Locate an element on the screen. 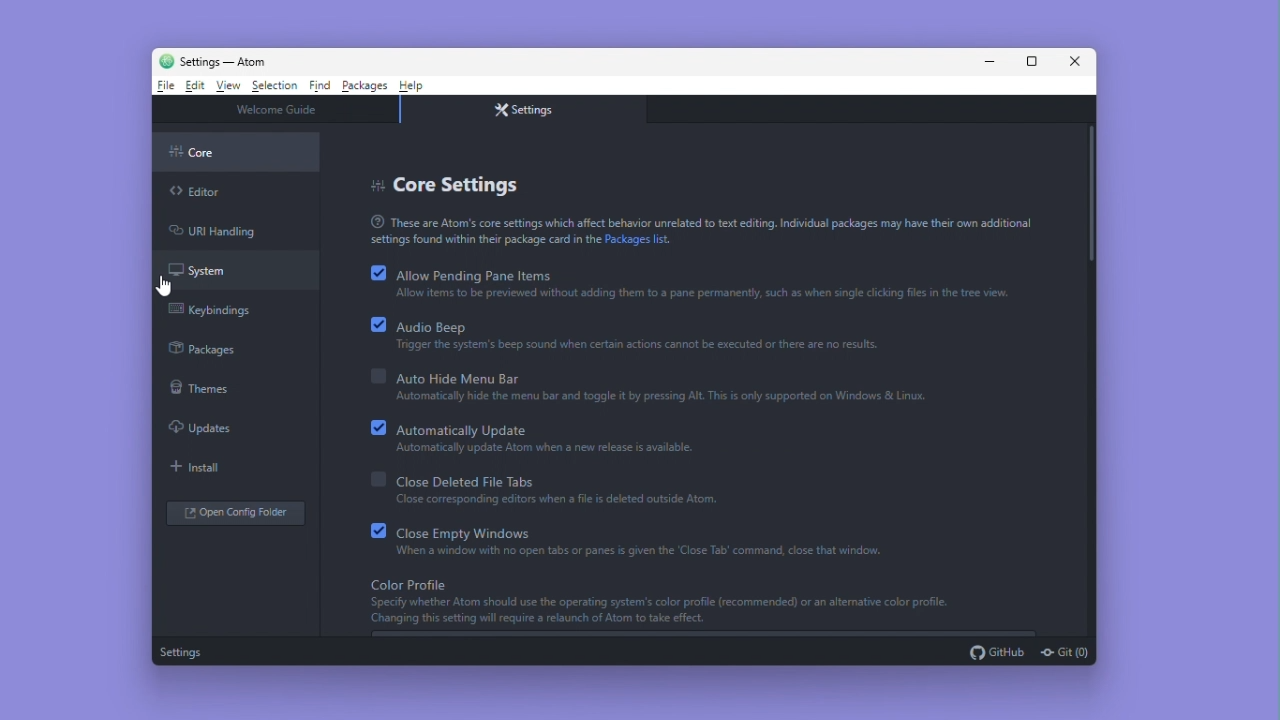 This screenshot has width=1280, height=720. System is located at coordinates (233, 271).